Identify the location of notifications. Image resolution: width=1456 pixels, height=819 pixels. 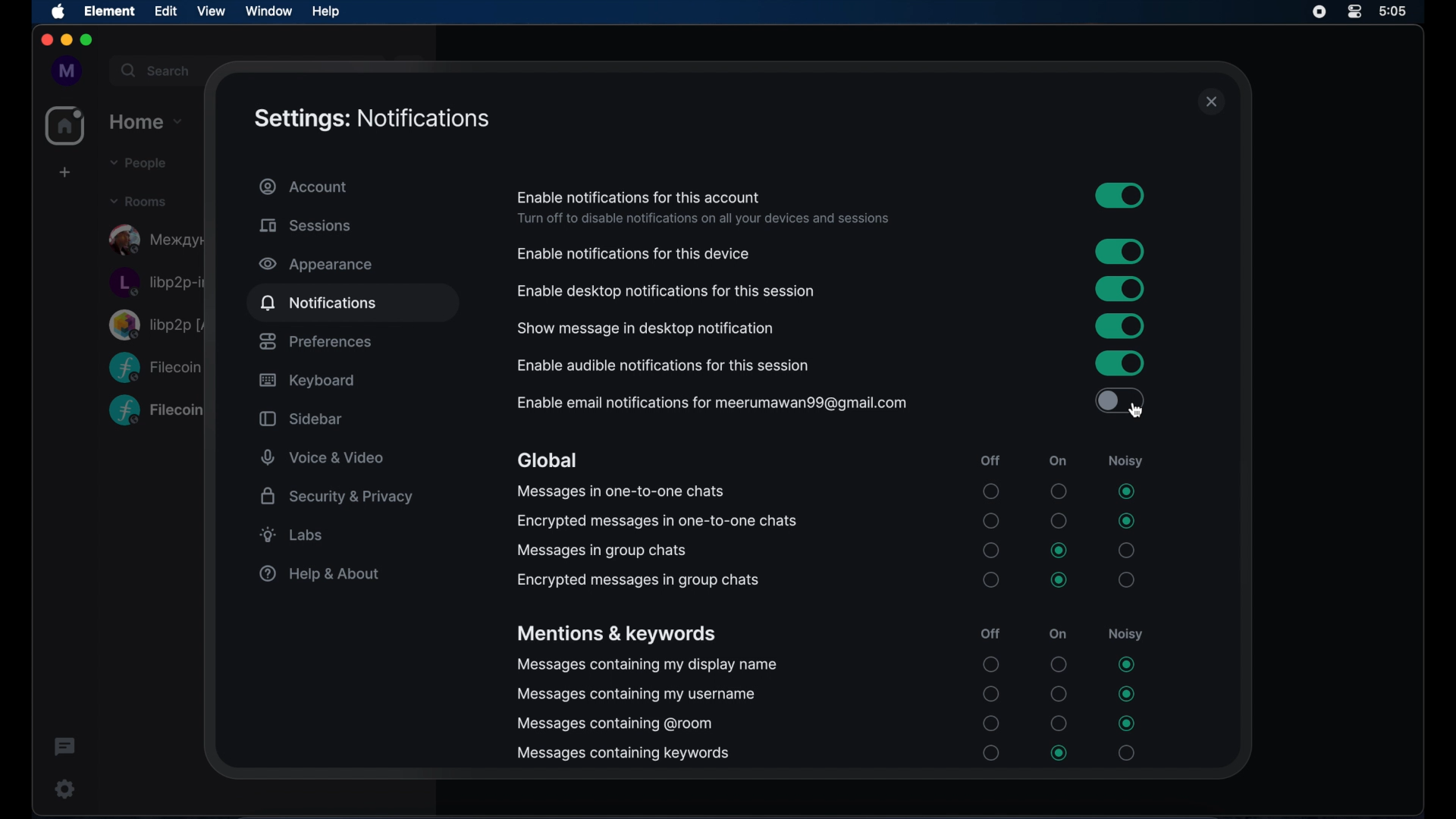
(318, 302).